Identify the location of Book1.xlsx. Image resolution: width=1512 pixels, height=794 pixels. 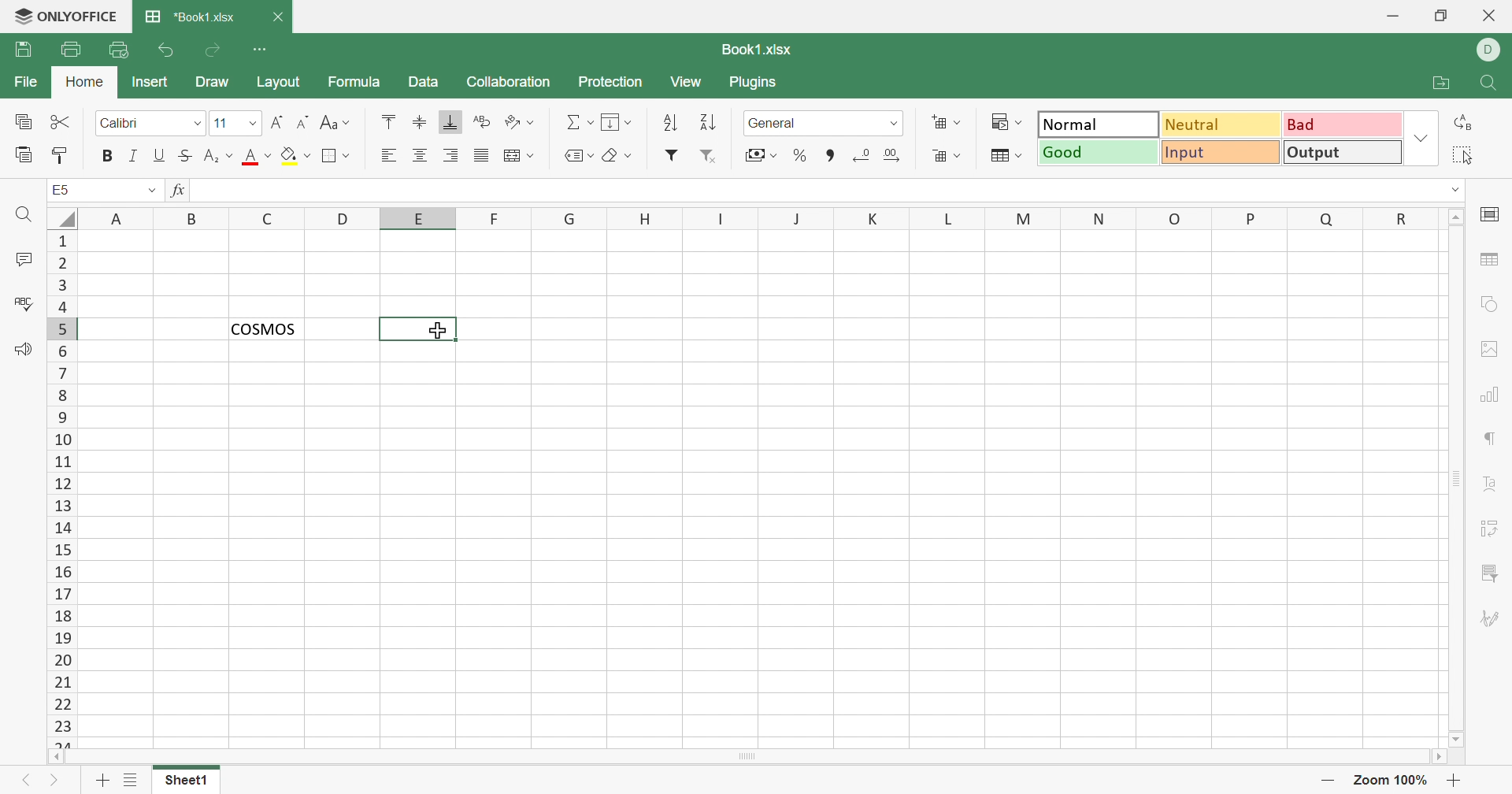
(759, 49).